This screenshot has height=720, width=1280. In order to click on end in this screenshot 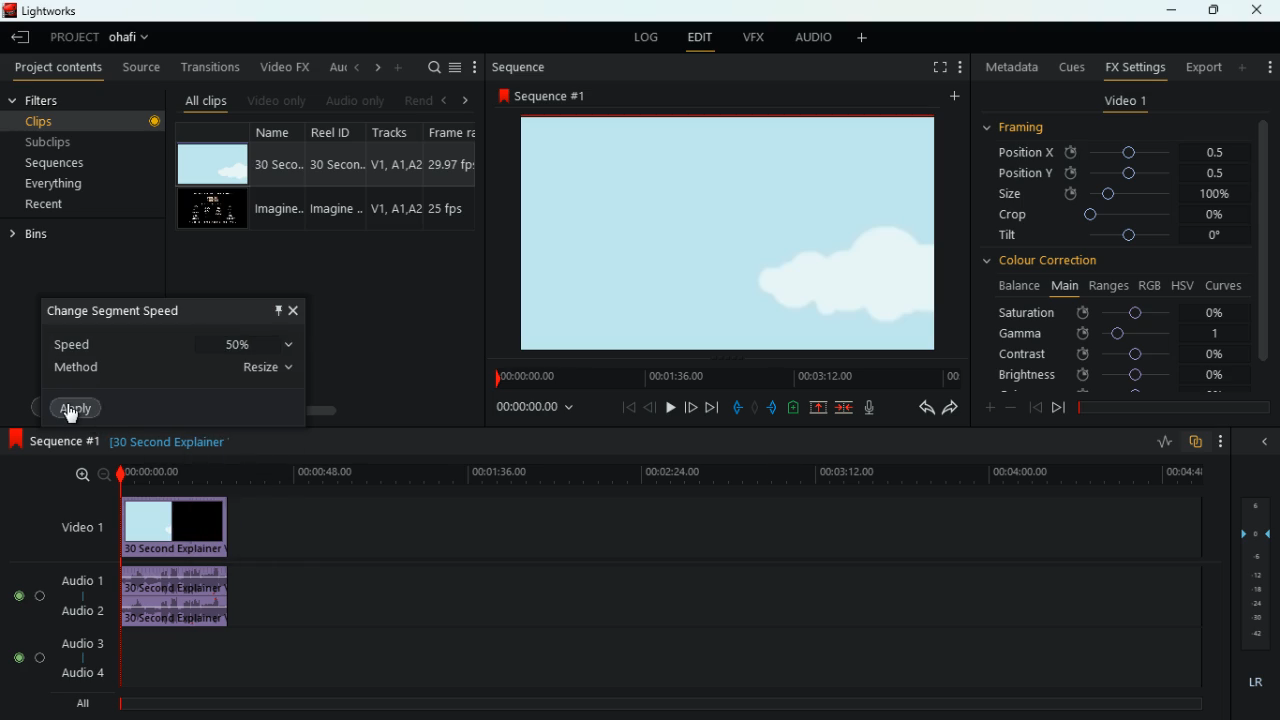, I will do `click(1058, 407)`.